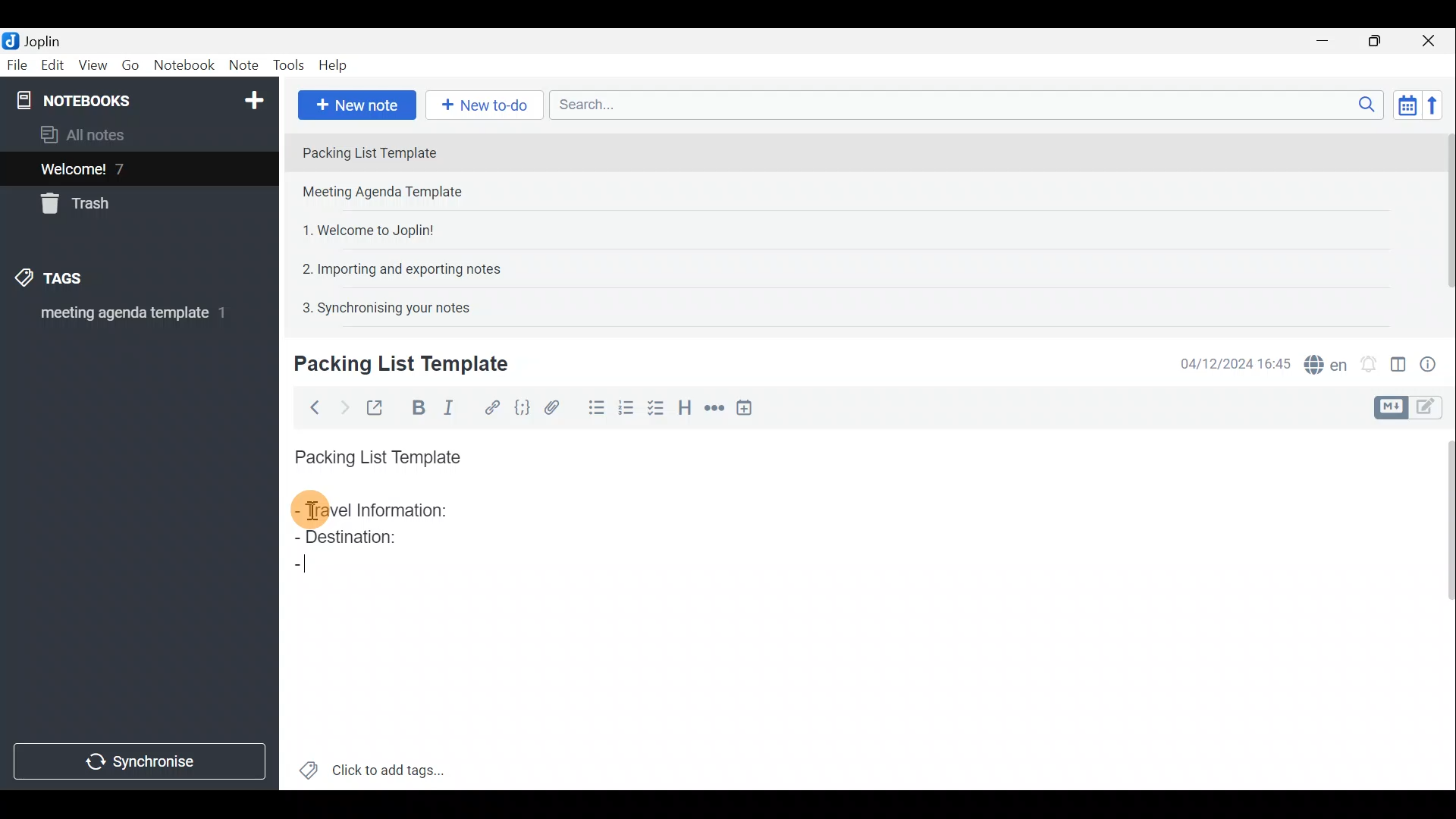 This screenshot has width=1456, height=819. Describe the element at coordinates (686, 406) in the screenshot. I see `Heading` at that location.